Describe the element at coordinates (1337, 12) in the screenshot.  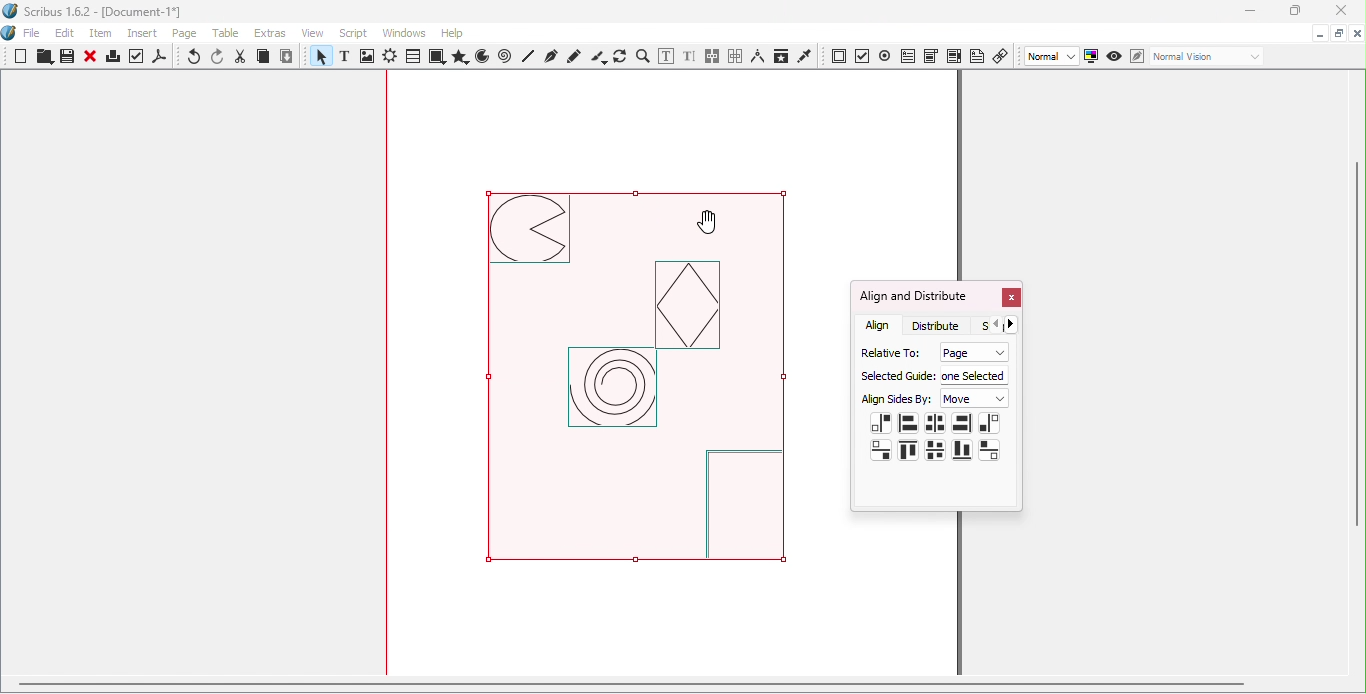
I see `Close` at that location.